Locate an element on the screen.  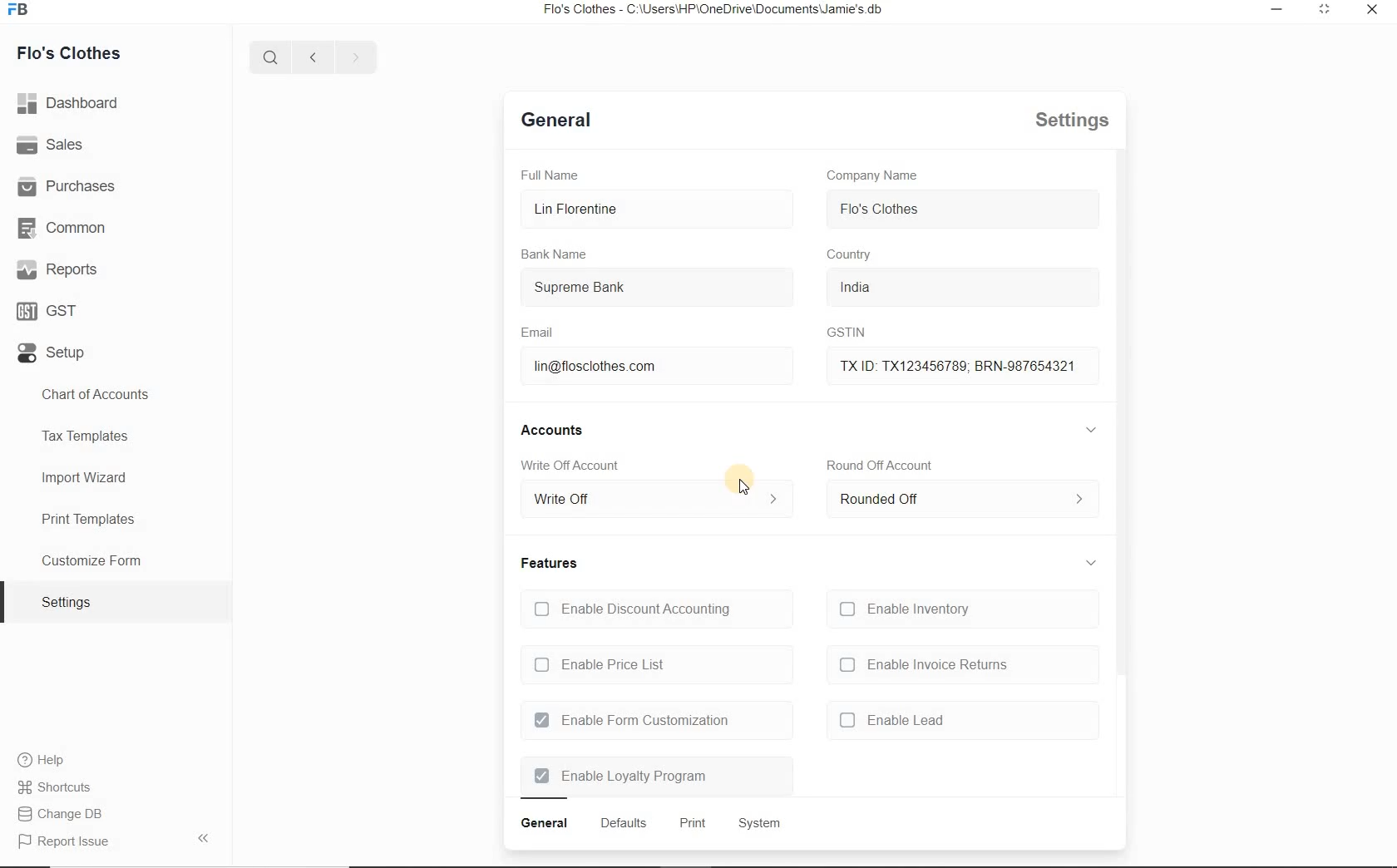
Setup is located at coordinates (55, 351).